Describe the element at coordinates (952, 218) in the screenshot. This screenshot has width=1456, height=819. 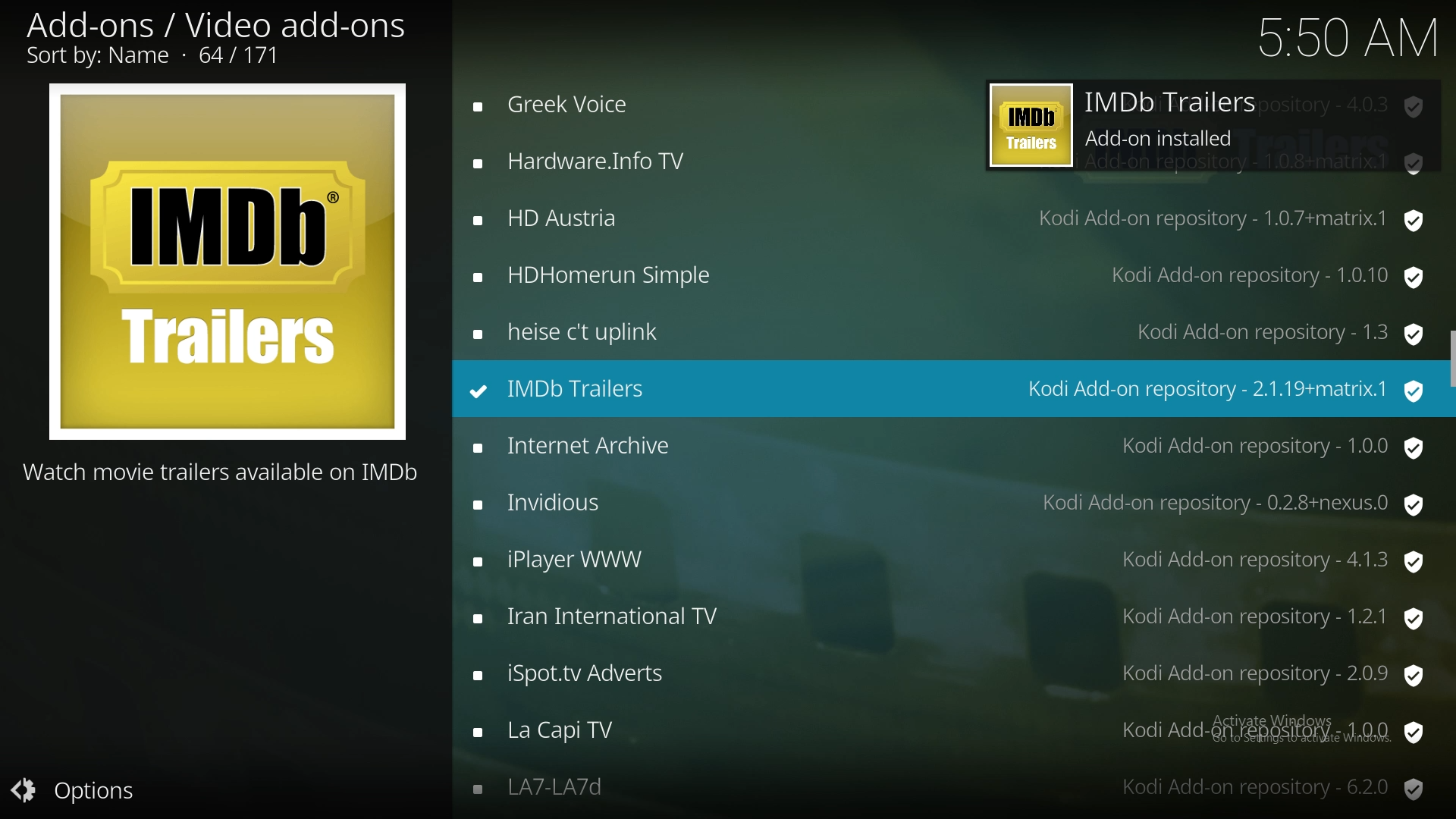
I see `add on` at that location.